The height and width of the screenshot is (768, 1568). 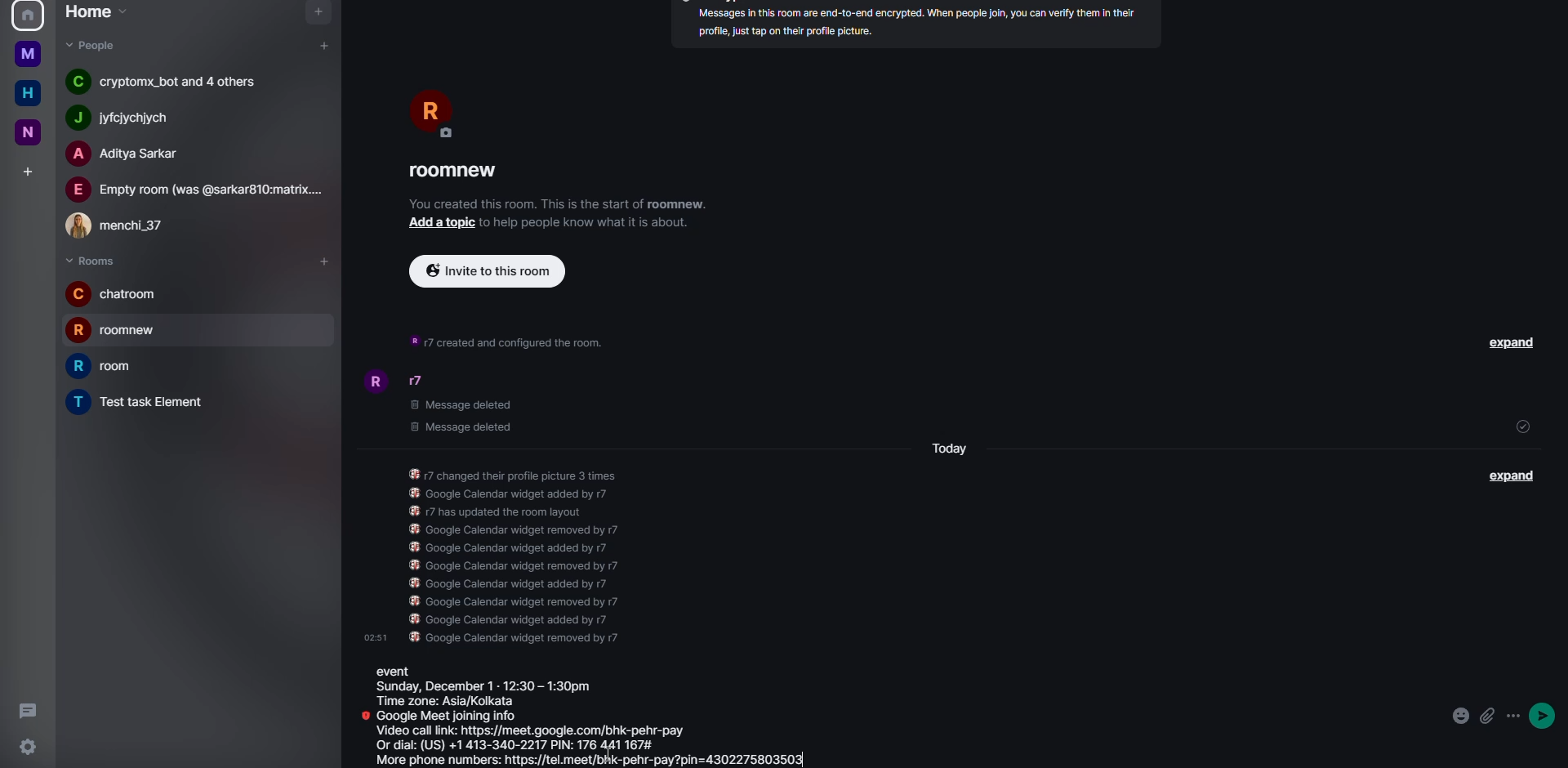 I want to click on add, so click(x=443, y=223).